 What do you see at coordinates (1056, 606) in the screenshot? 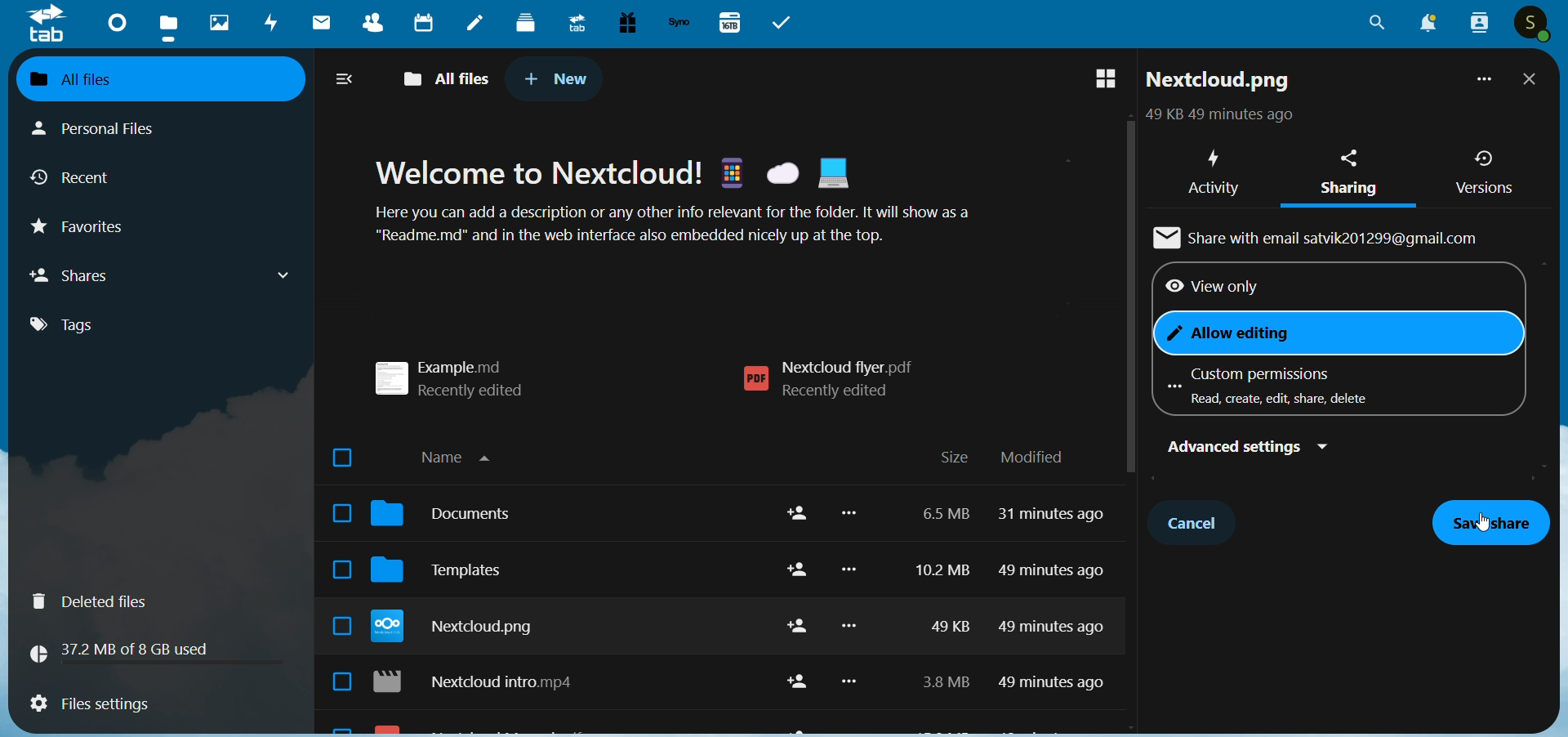
I see `modified time` at bounding box center [1056, 606].